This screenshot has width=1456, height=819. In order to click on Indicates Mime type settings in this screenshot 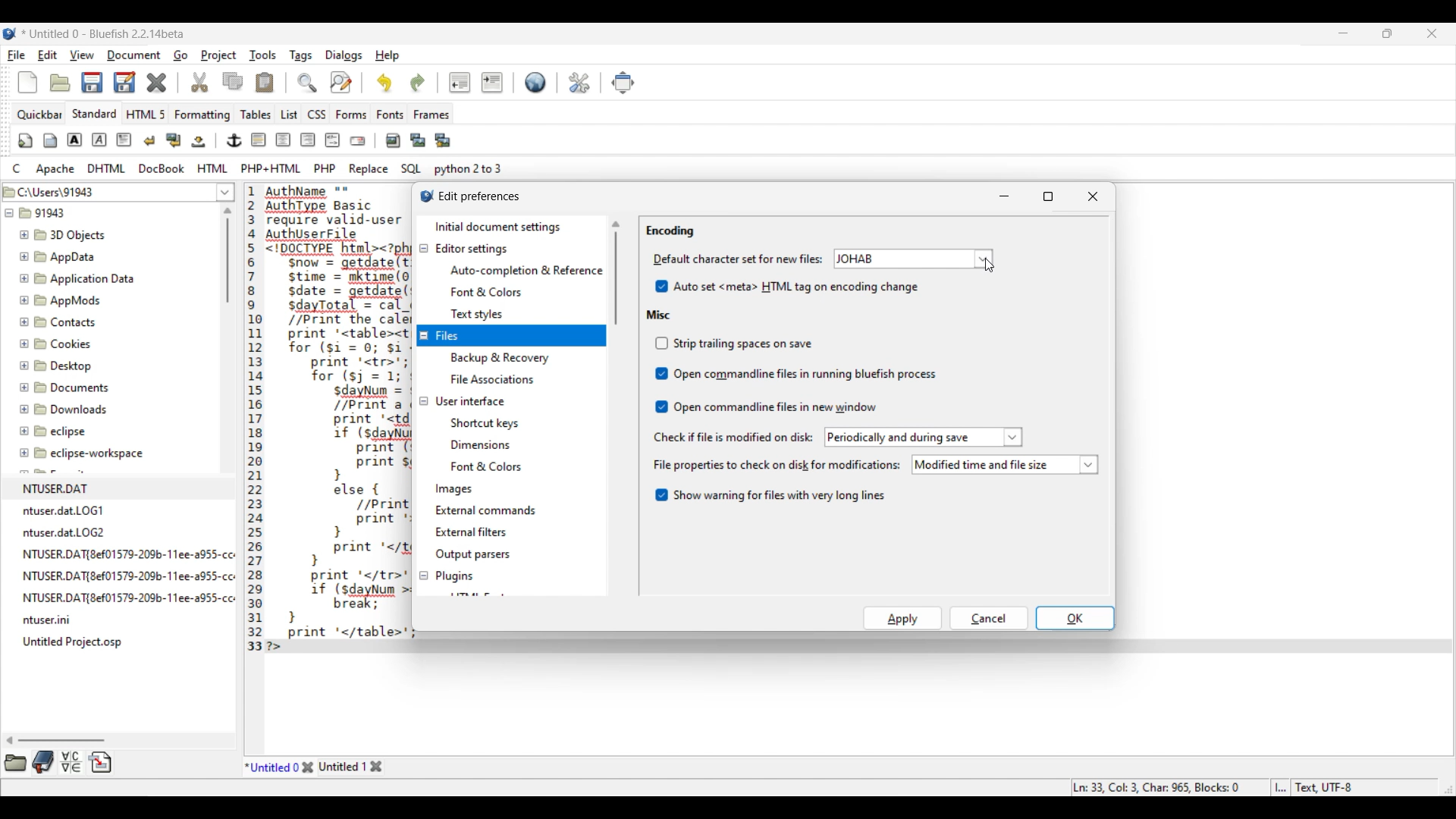, I will do `click(739, 258)`.